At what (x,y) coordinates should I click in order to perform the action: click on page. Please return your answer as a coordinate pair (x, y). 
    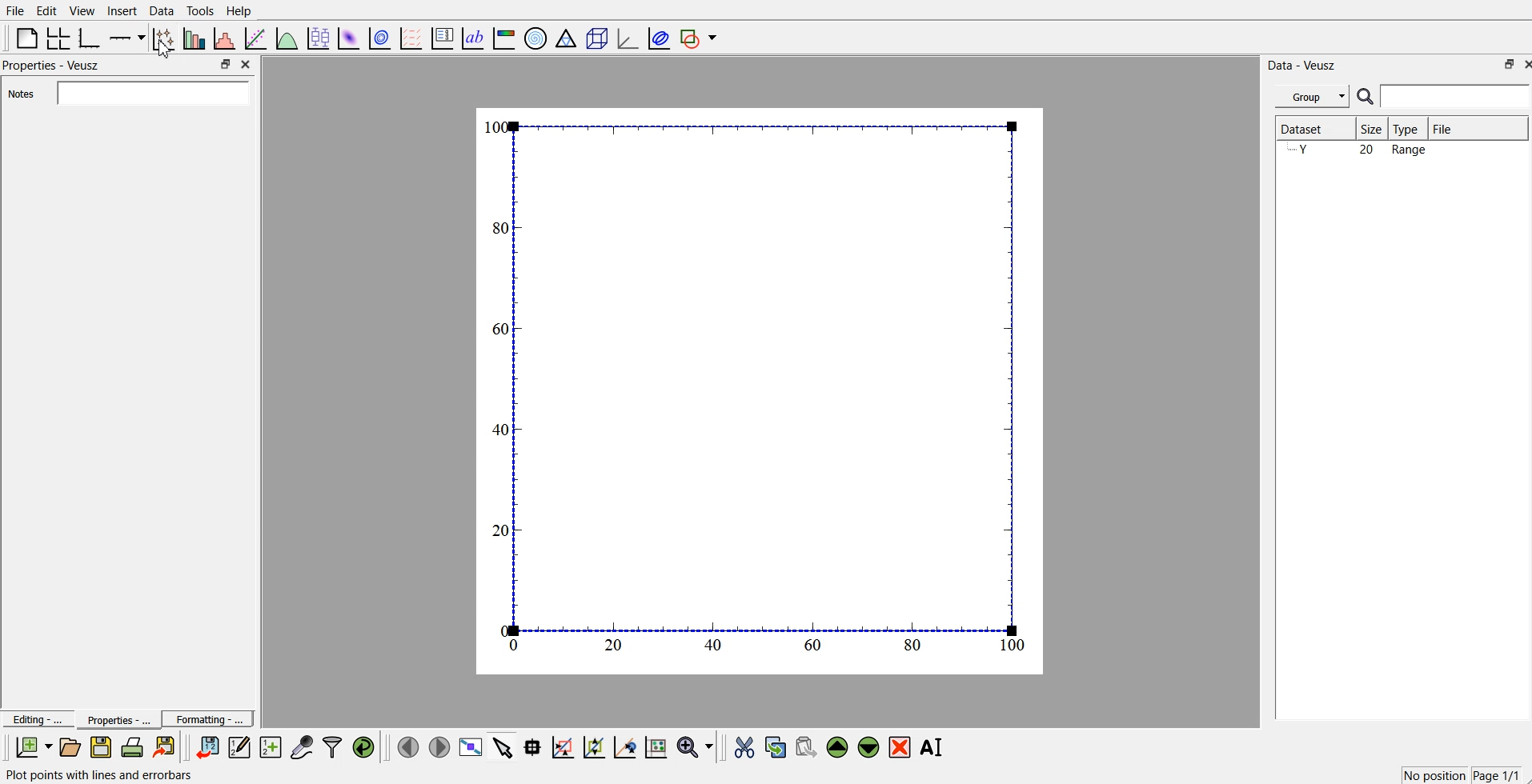
    Looking at the image, I should click on (762, 390).